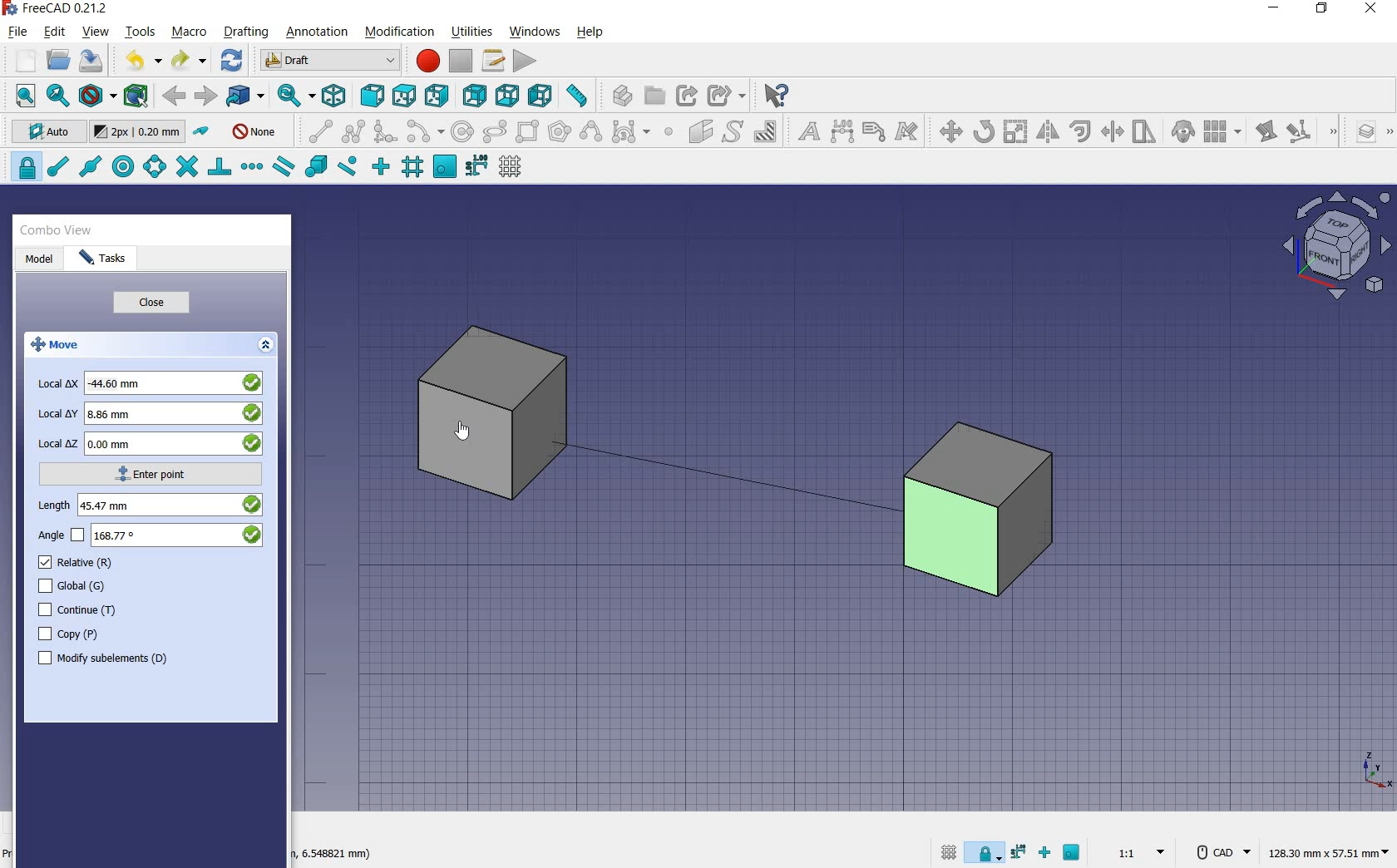 This screenshot has width=1397, height=868. I want to click on what's this?, so click(774, 96).